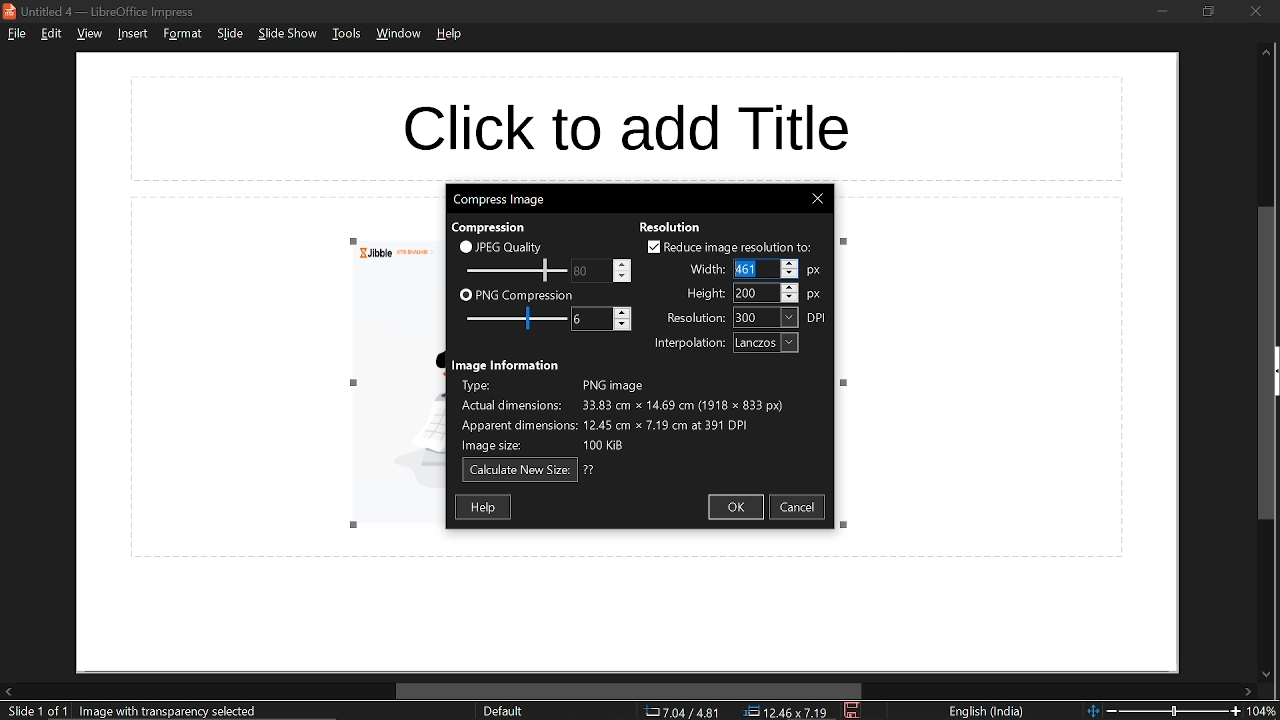 The height and width of the screenshot is (720, 1280). What do you see at coordinates (345, 37) in the screenshot?
I see `tools` at bounding box center [345, 37].